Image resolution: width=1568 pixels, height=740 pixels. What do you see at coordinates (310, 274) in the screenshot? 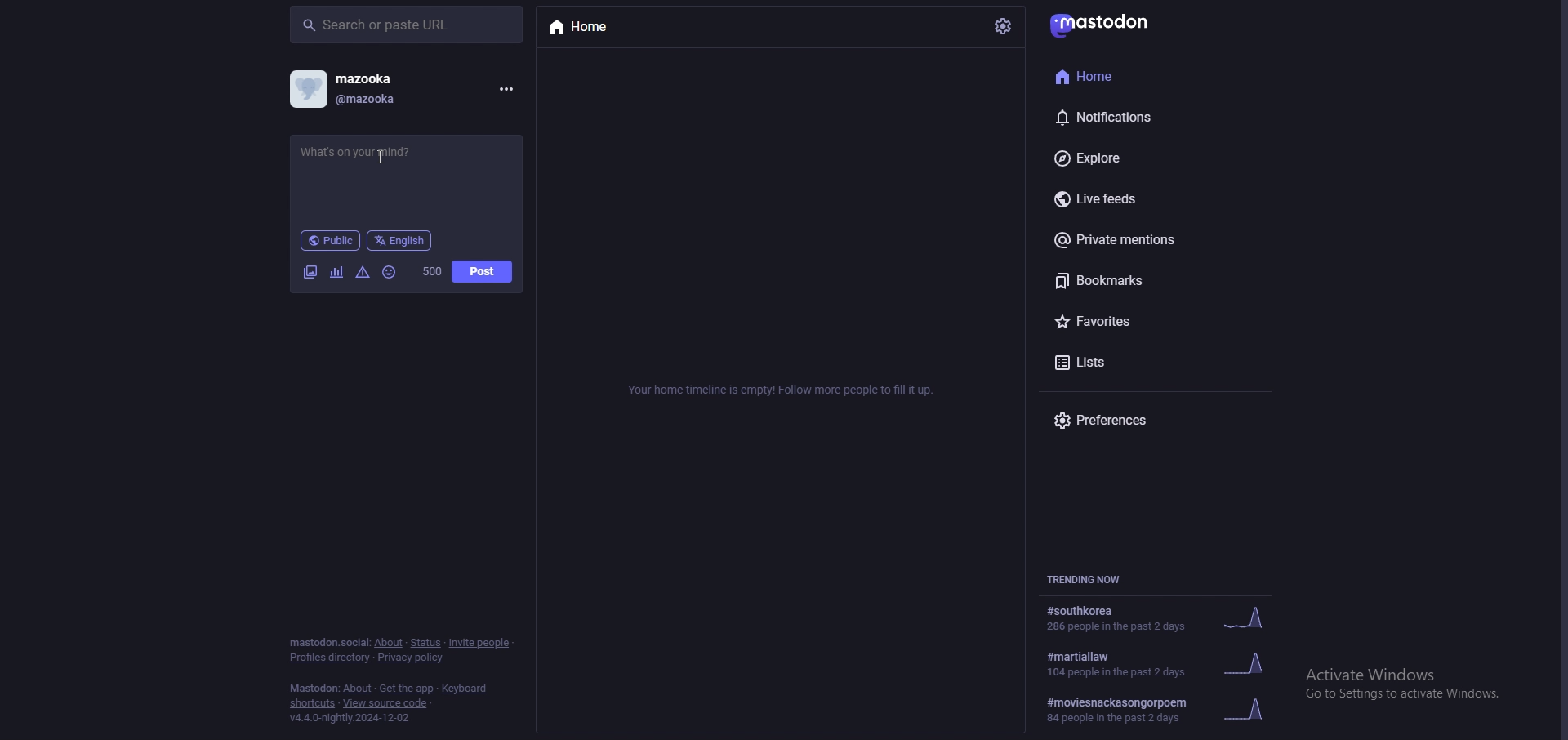
I see `images` at bounding box center [310, 274].